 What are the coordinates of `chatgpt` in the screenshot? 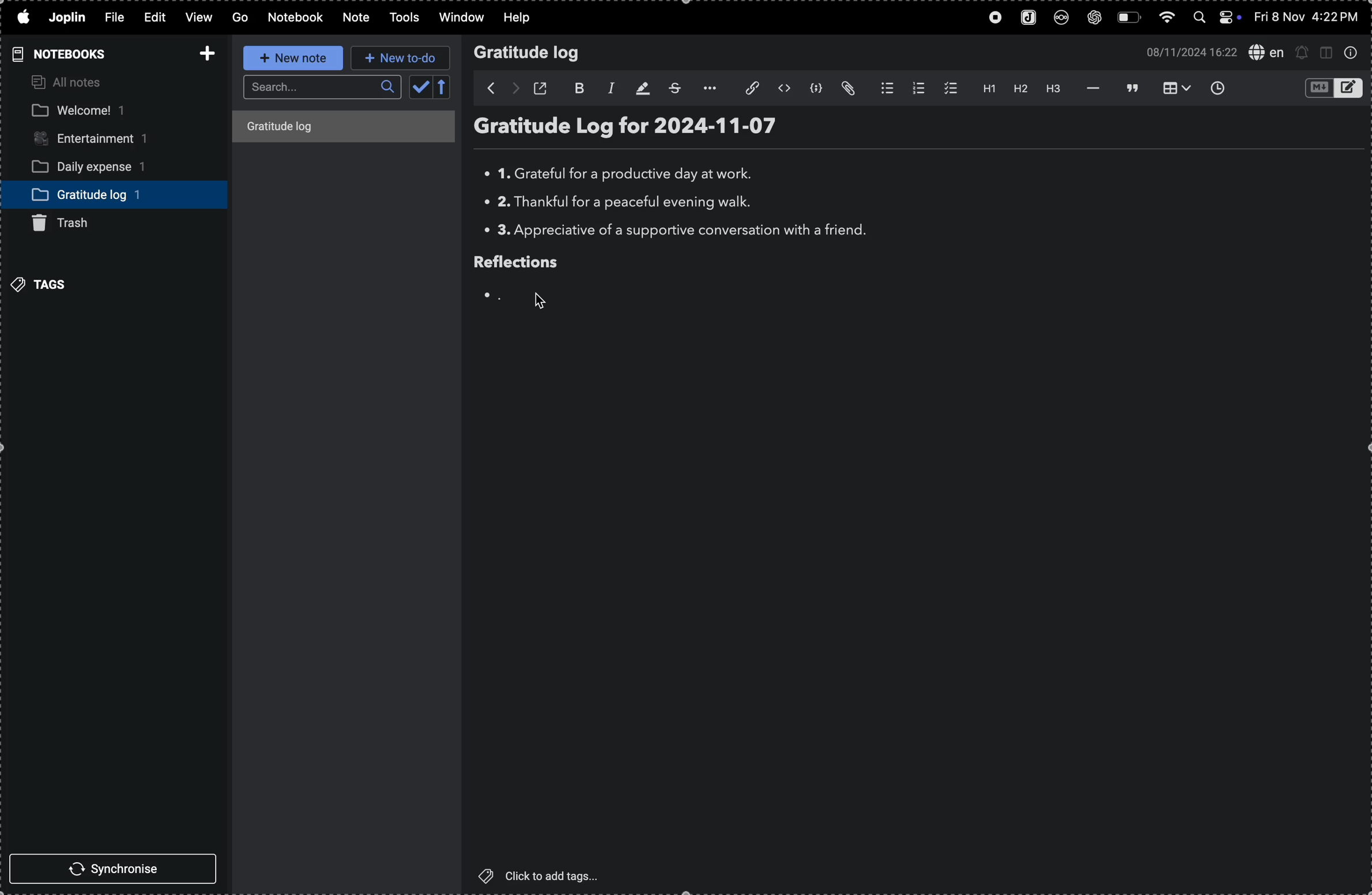 It's located at (1096, 17).